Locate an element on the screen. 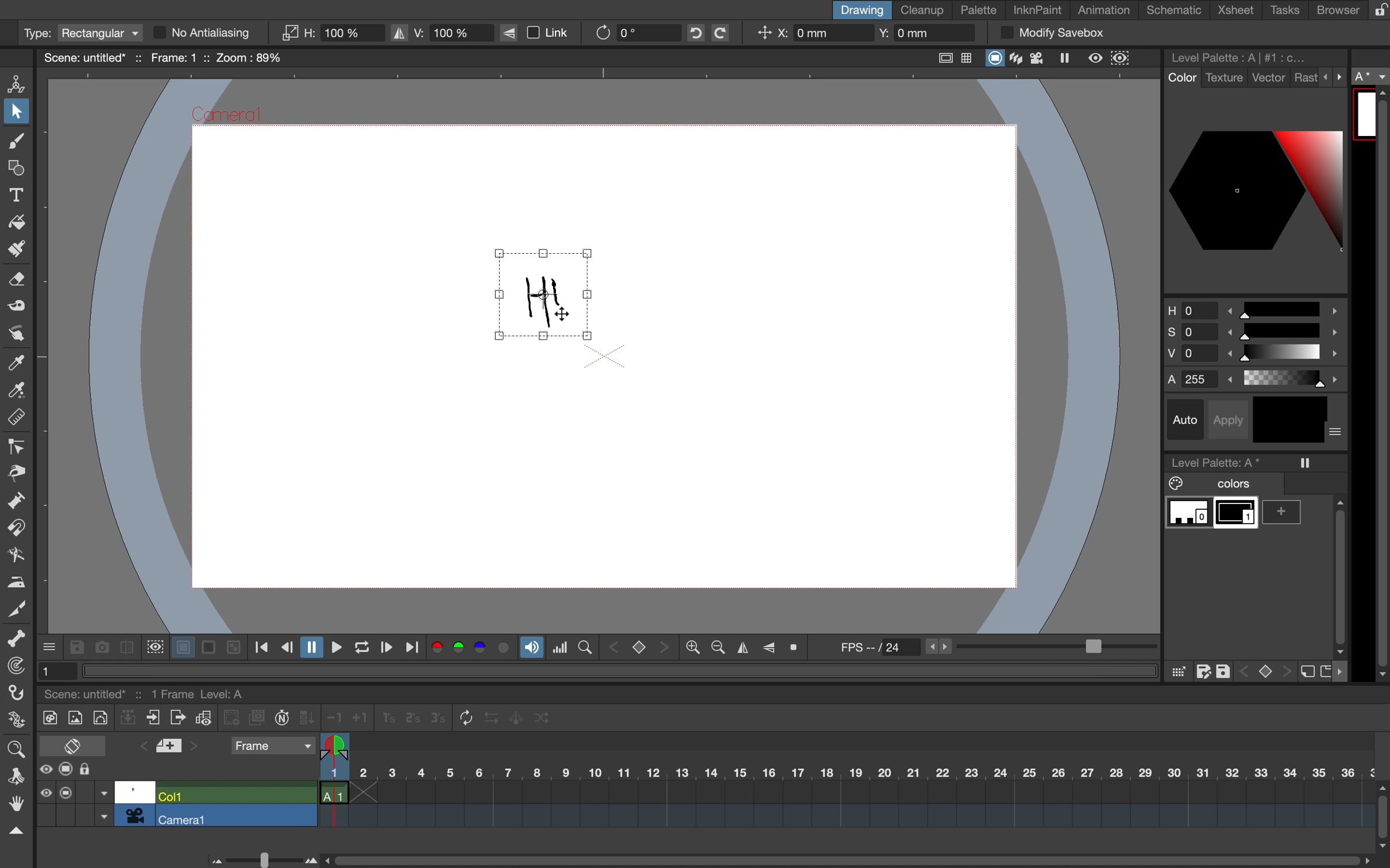 This screenshot has width=1390, height=868. tracker tool is located at coordinates (13, 668).